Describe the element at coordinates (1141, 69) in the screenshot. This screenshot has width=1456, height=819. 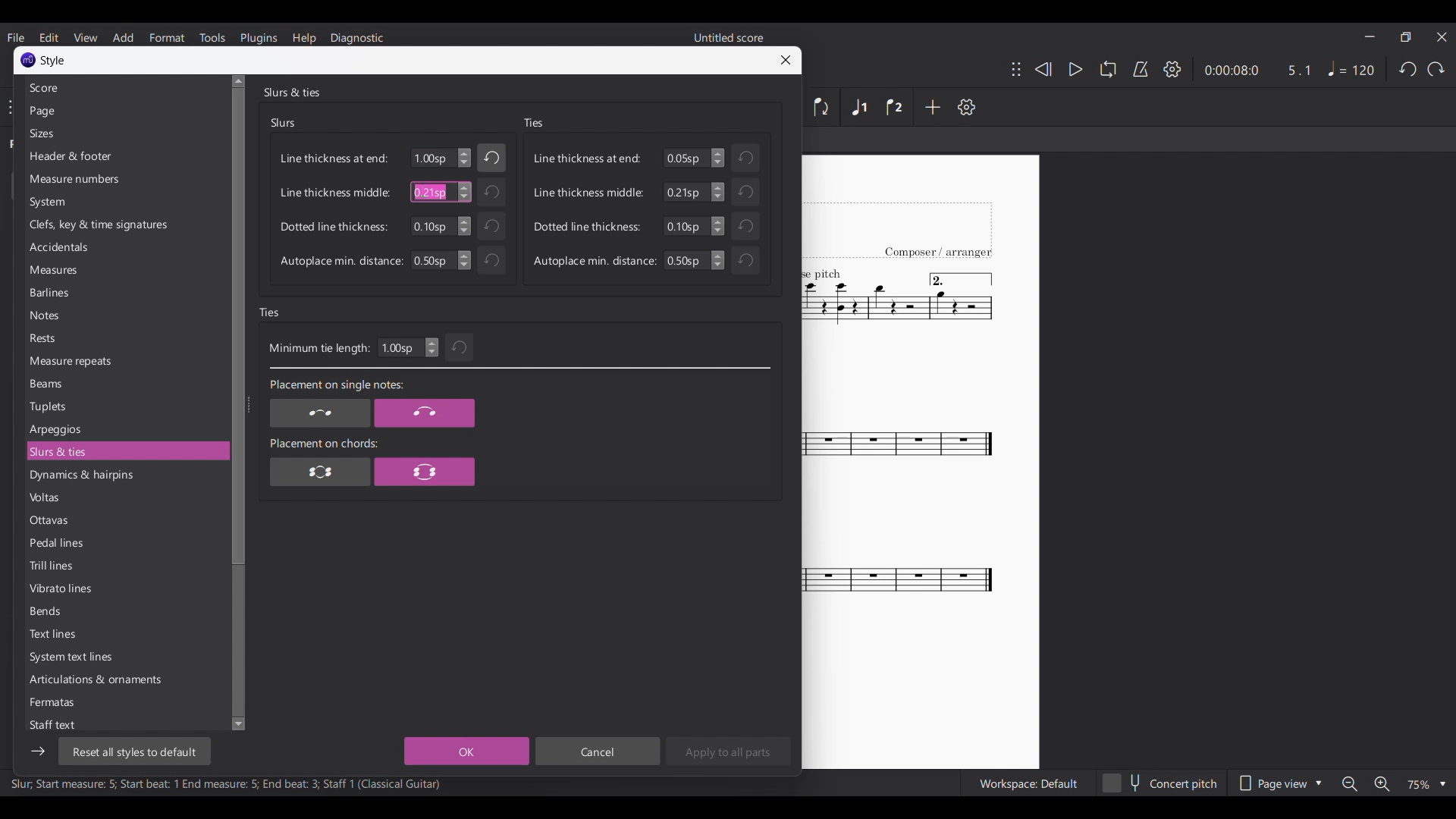
I see `Metronome` at that location.